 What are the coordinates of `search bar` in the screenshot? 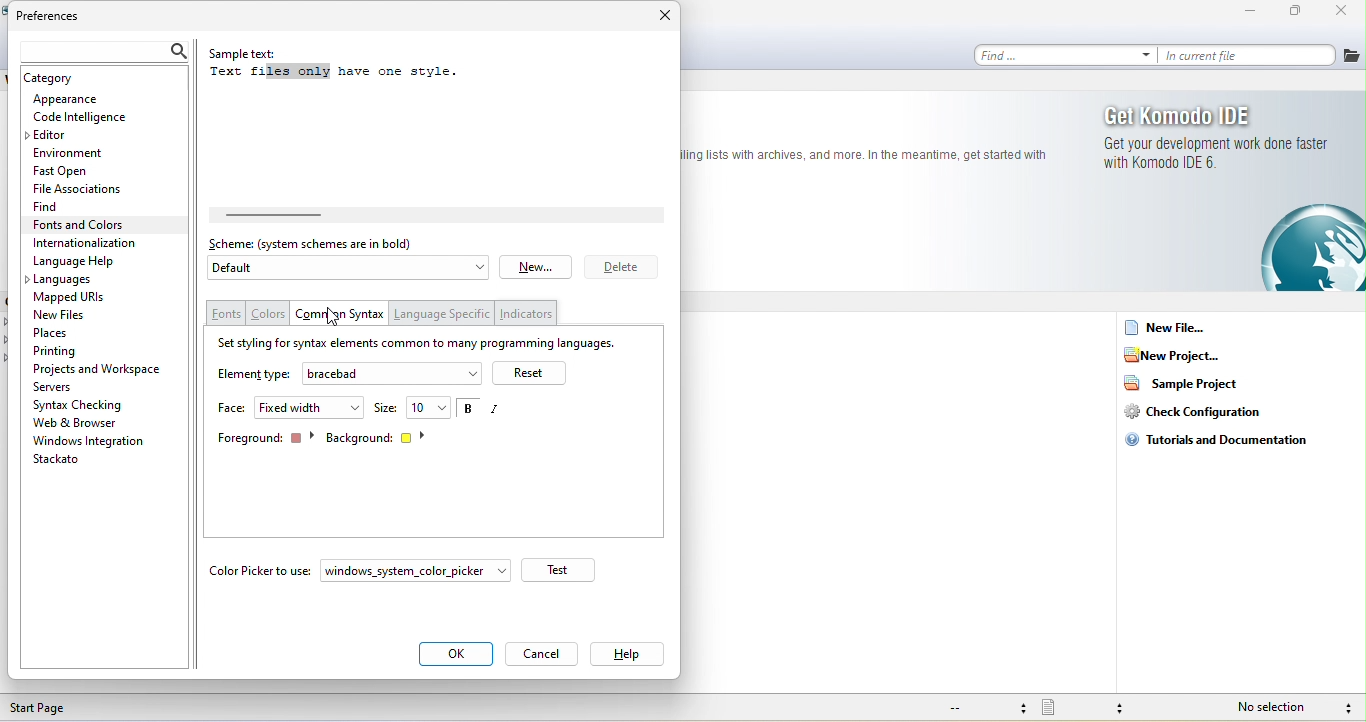 It's located at (106, 51).